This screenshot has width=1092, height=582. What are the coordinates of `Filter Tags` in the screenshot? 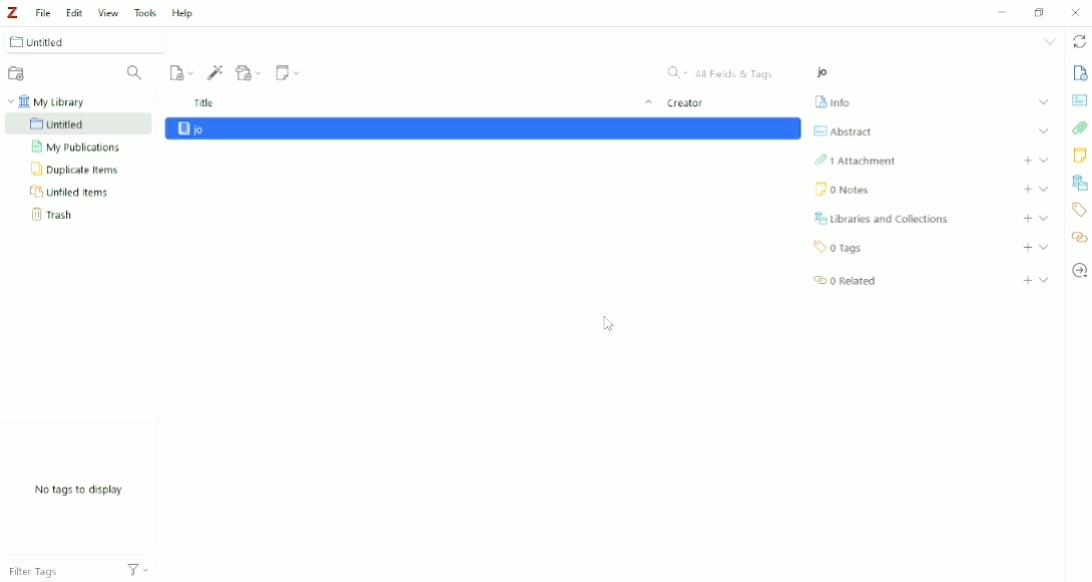 It's located at (53, 572).